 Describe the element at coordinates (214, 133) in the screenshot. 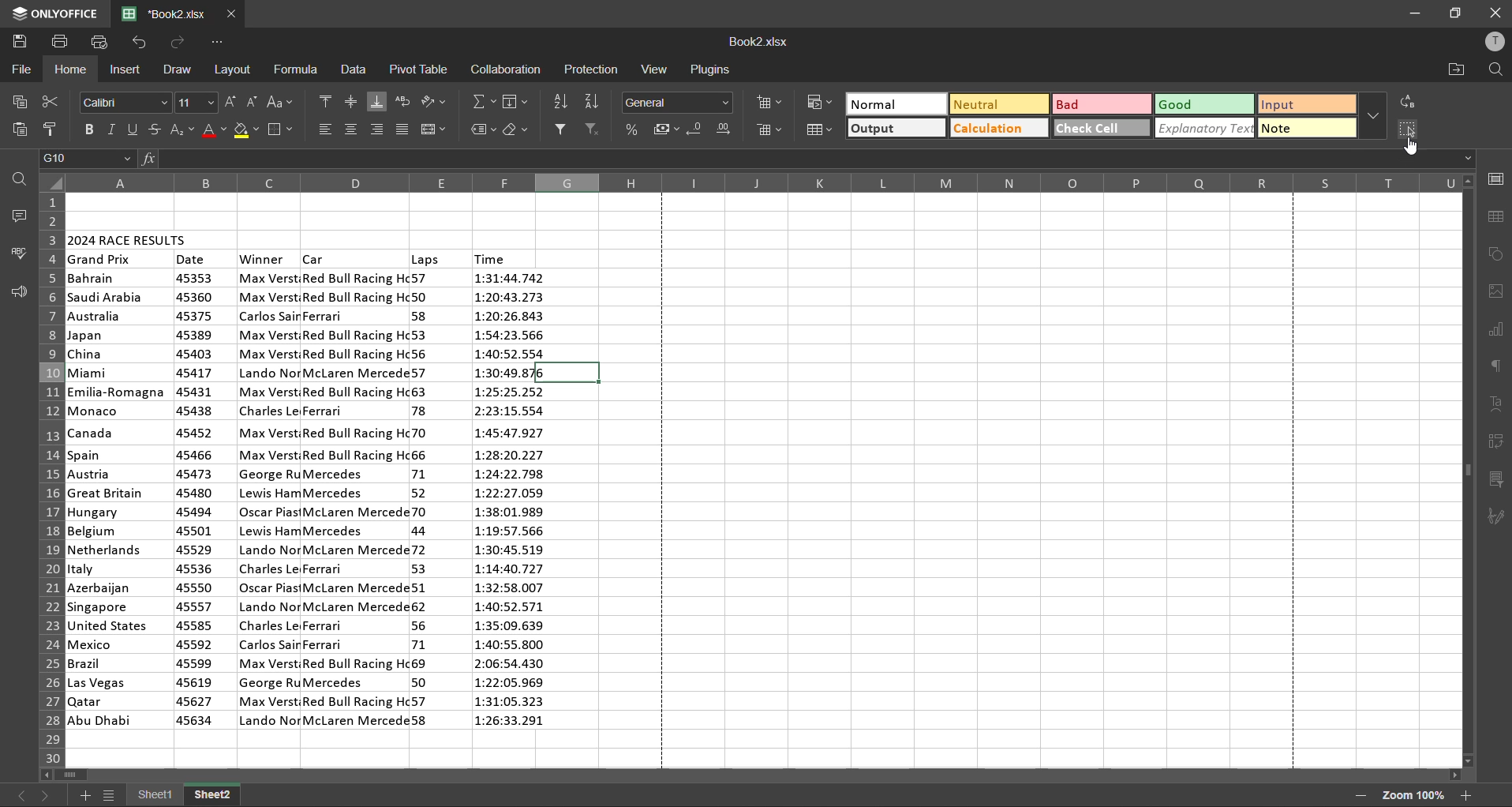

I see `font color` at that location.